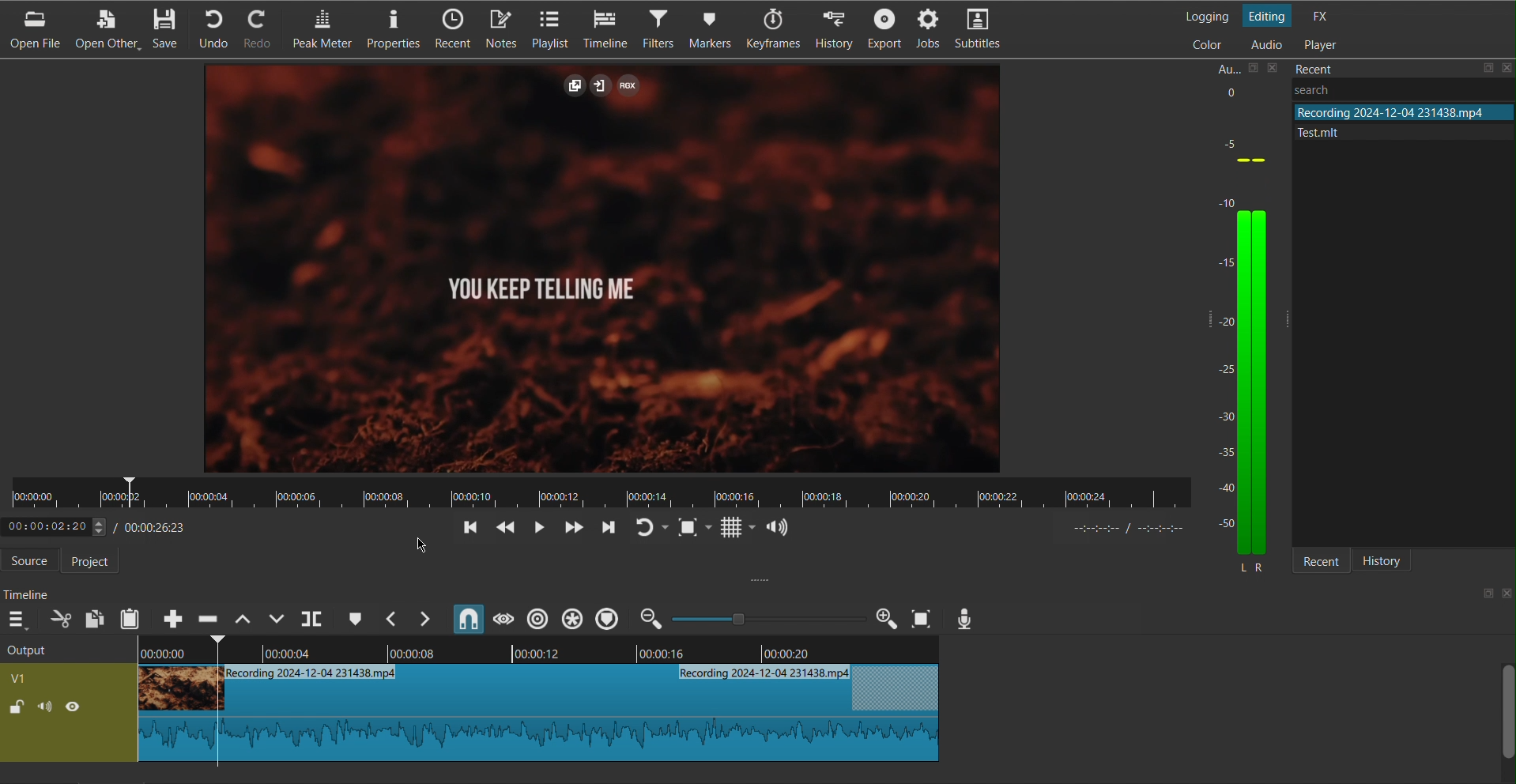 This screenshot has width=1516, height=784. I want to click on Video Preview, so click(605, 271).